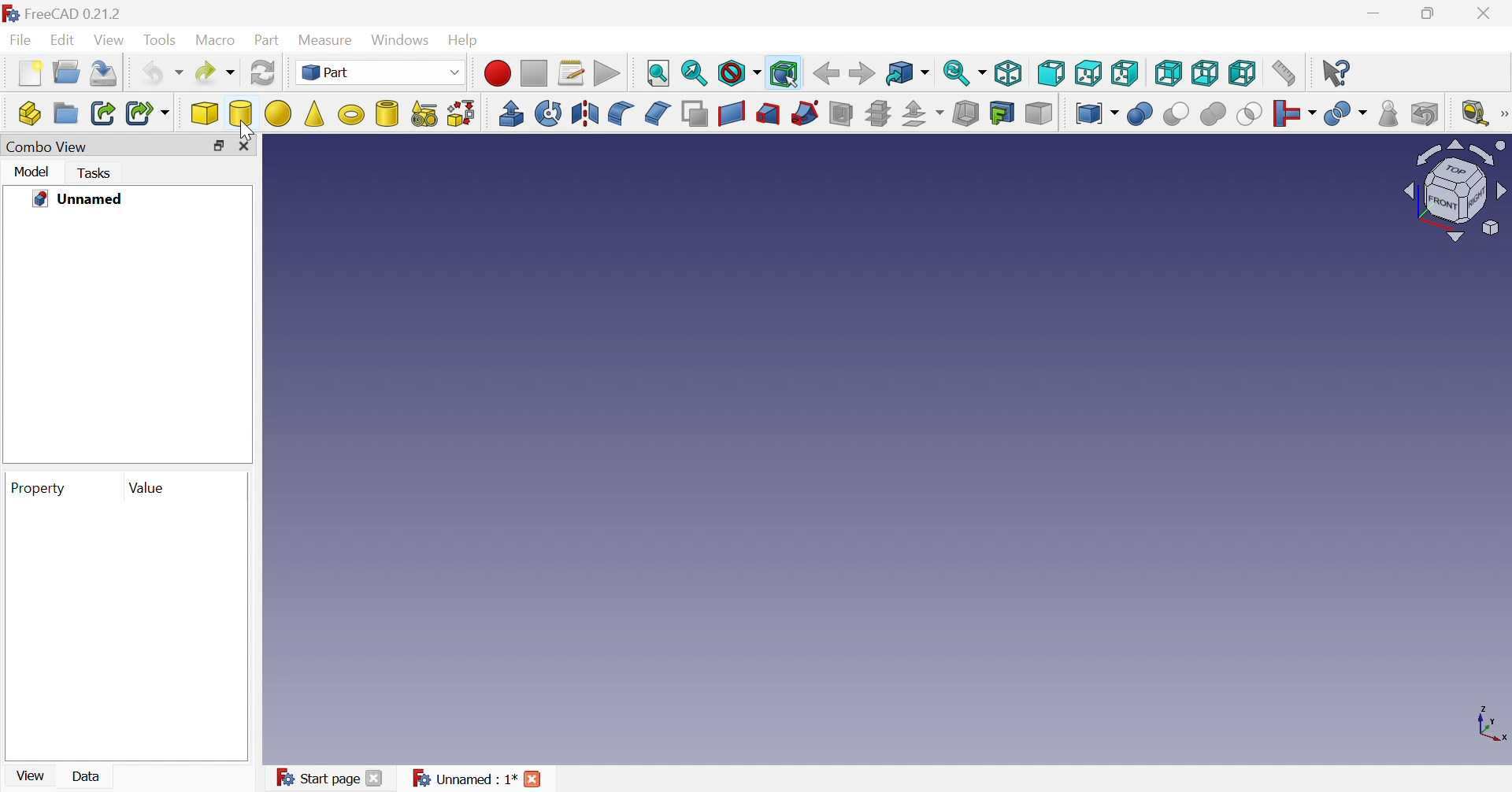 The image size is (1512, 792). I want to click on Right, so click(1125, 75).